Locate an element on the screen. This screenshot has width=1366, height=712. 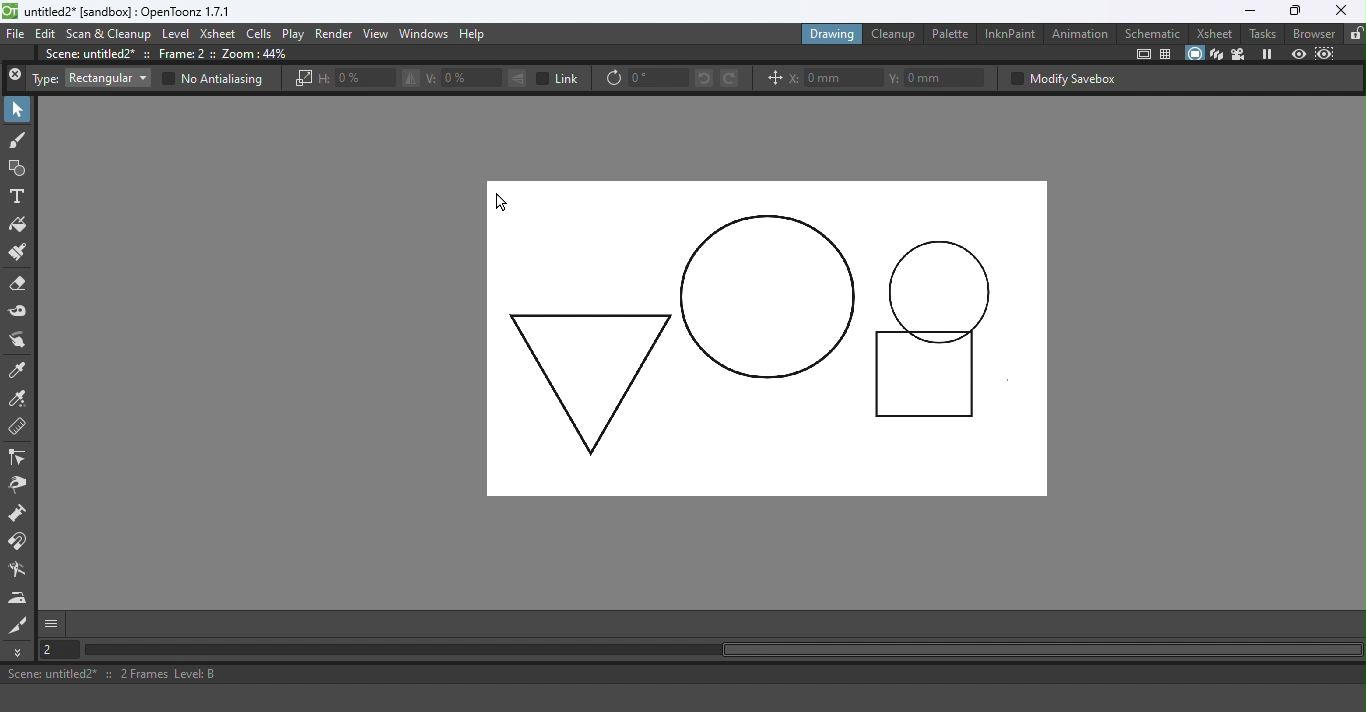
Drawing is located at coordinates (832, 33).